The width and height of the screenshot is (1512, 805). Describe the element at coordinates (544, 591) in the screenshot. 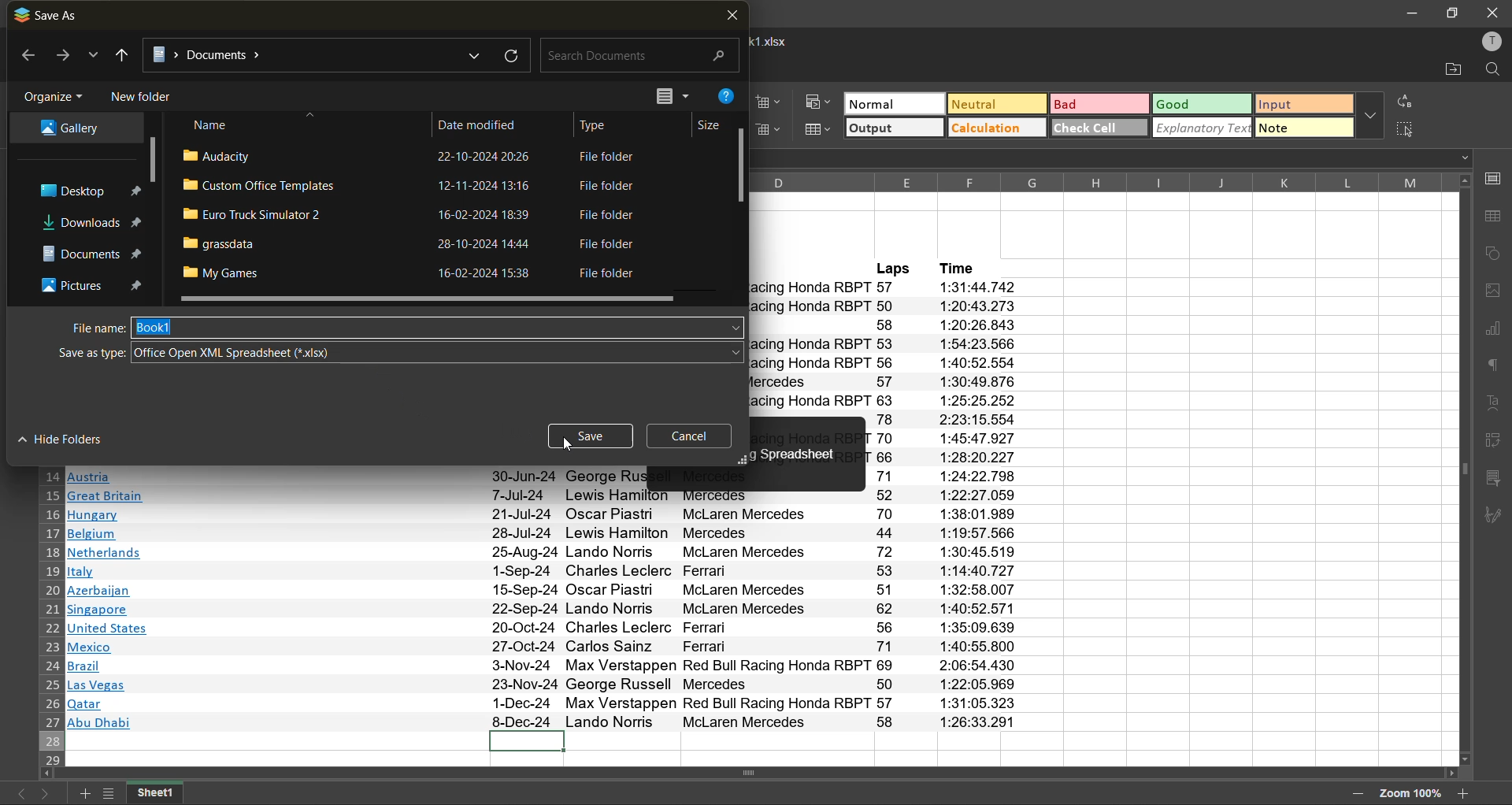

I see `Azerbaijan 19-Sep-24 Oscar rFiastn McLaren Mercedes 21 1:32:98.007` at that location.